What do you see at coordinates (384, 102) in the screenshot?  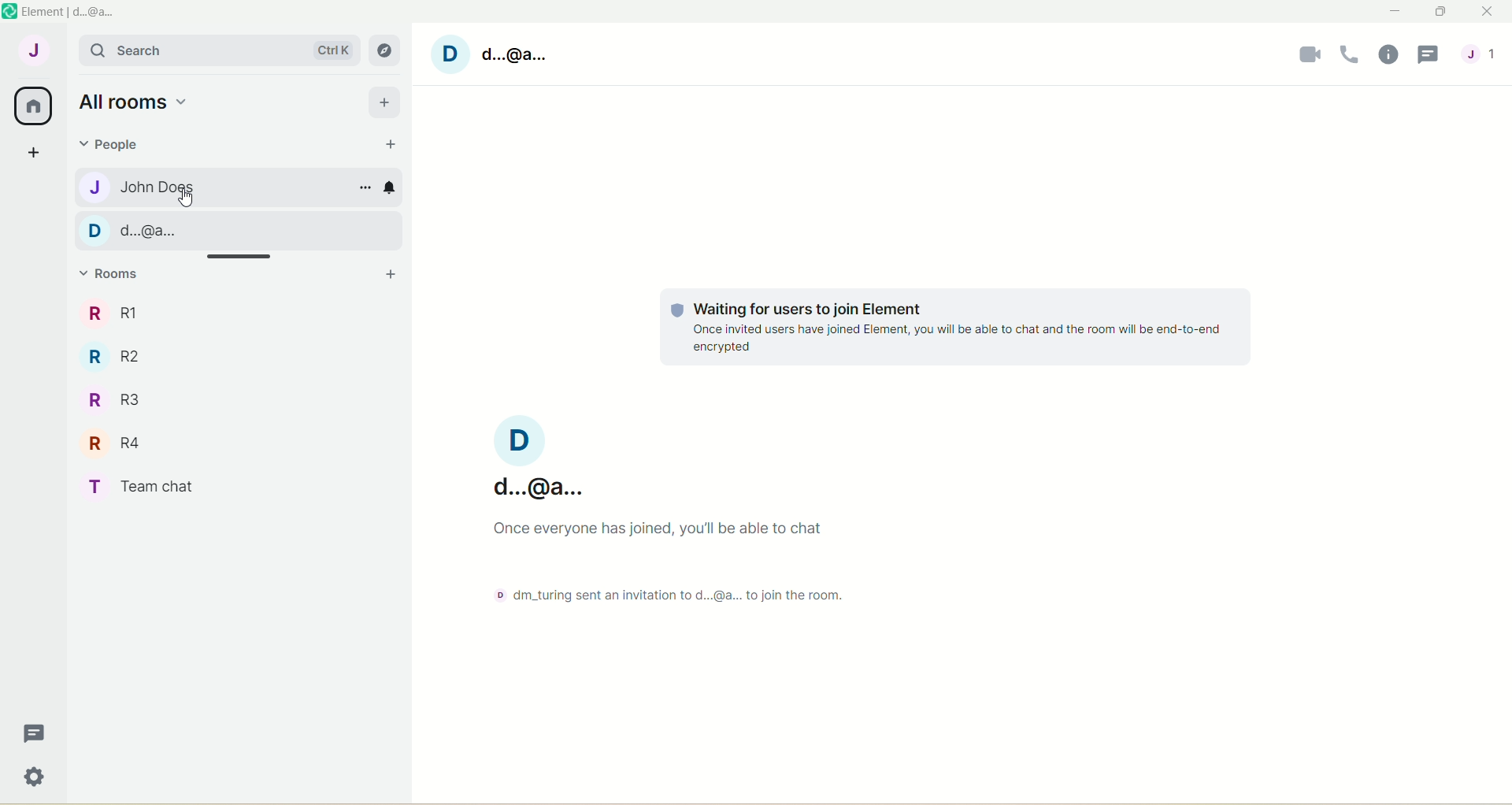 I see `add` at bounding box center [384, 102].